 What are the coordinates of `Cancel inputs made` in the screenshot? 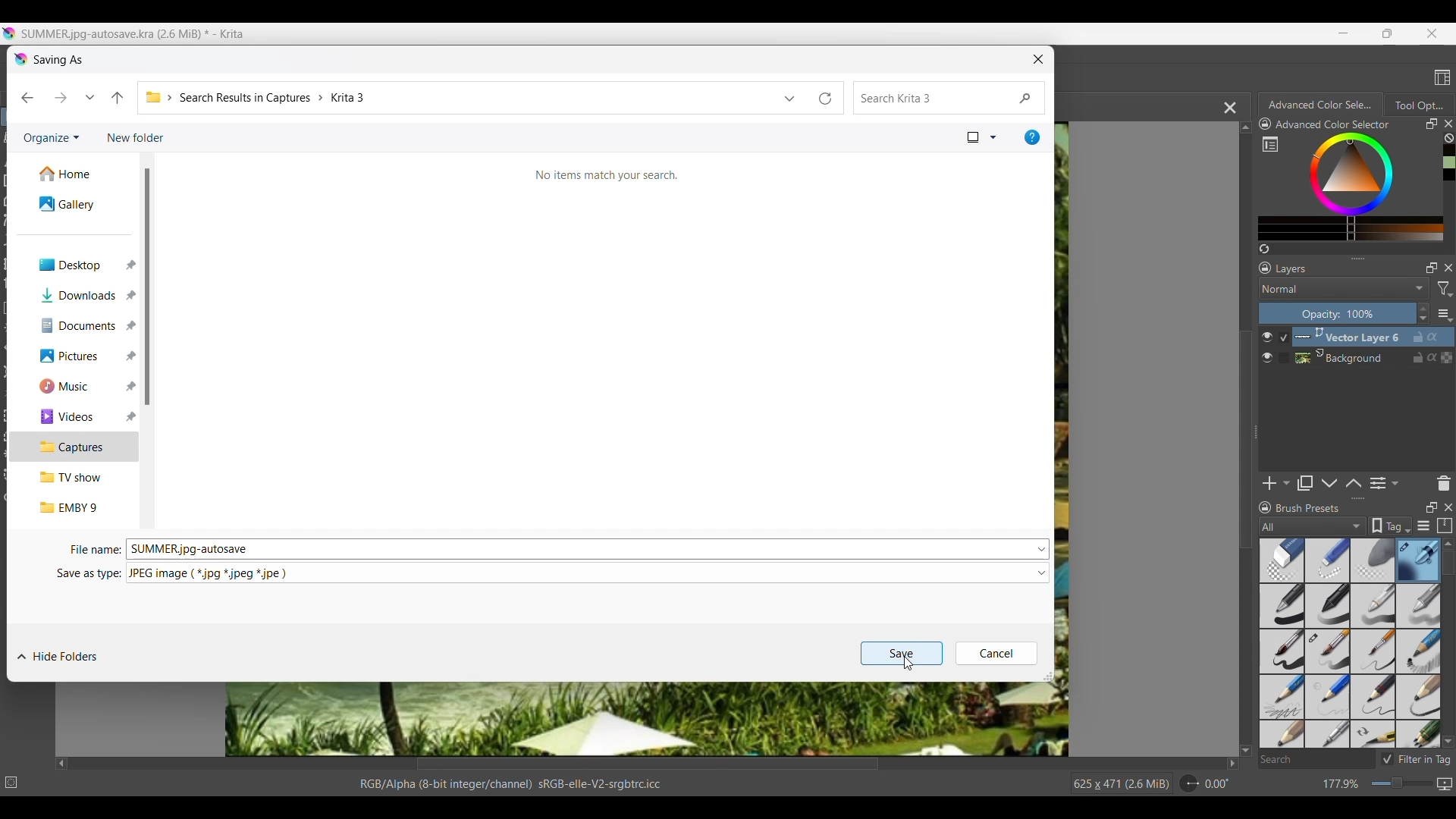 It's located at (996, 654).